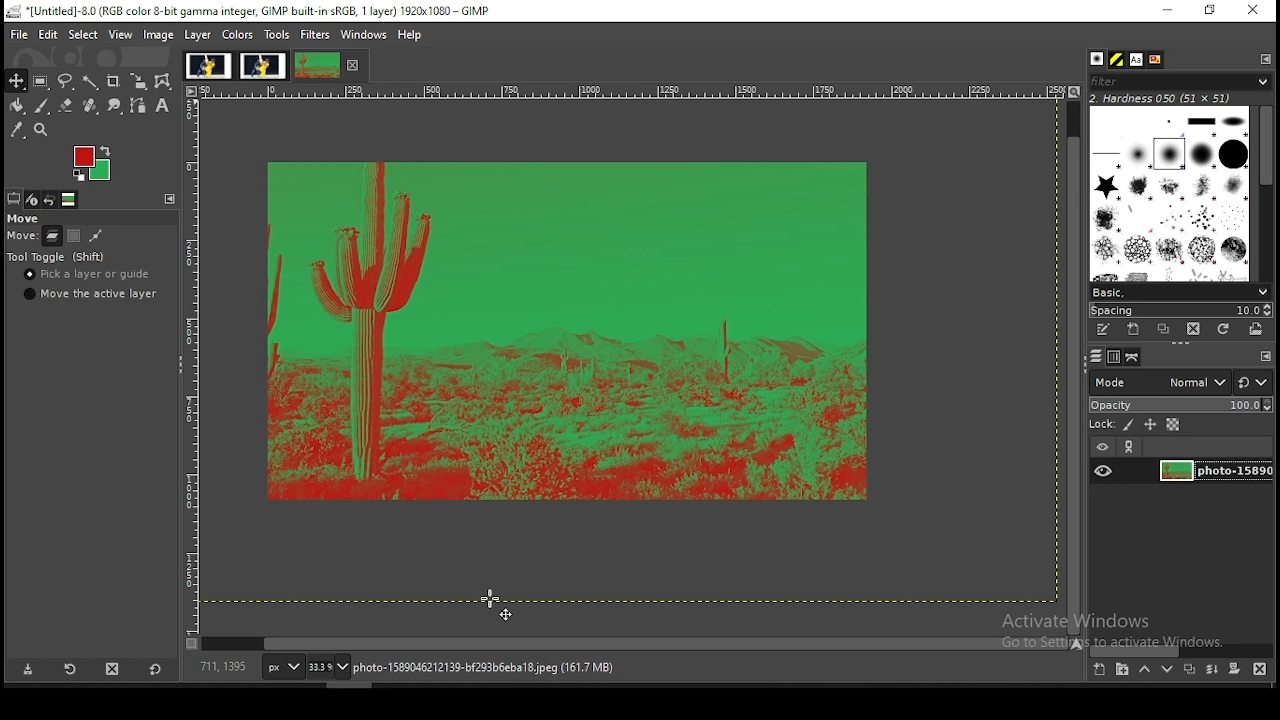  I want to click on lock alpha channel, so click(1174, 424).